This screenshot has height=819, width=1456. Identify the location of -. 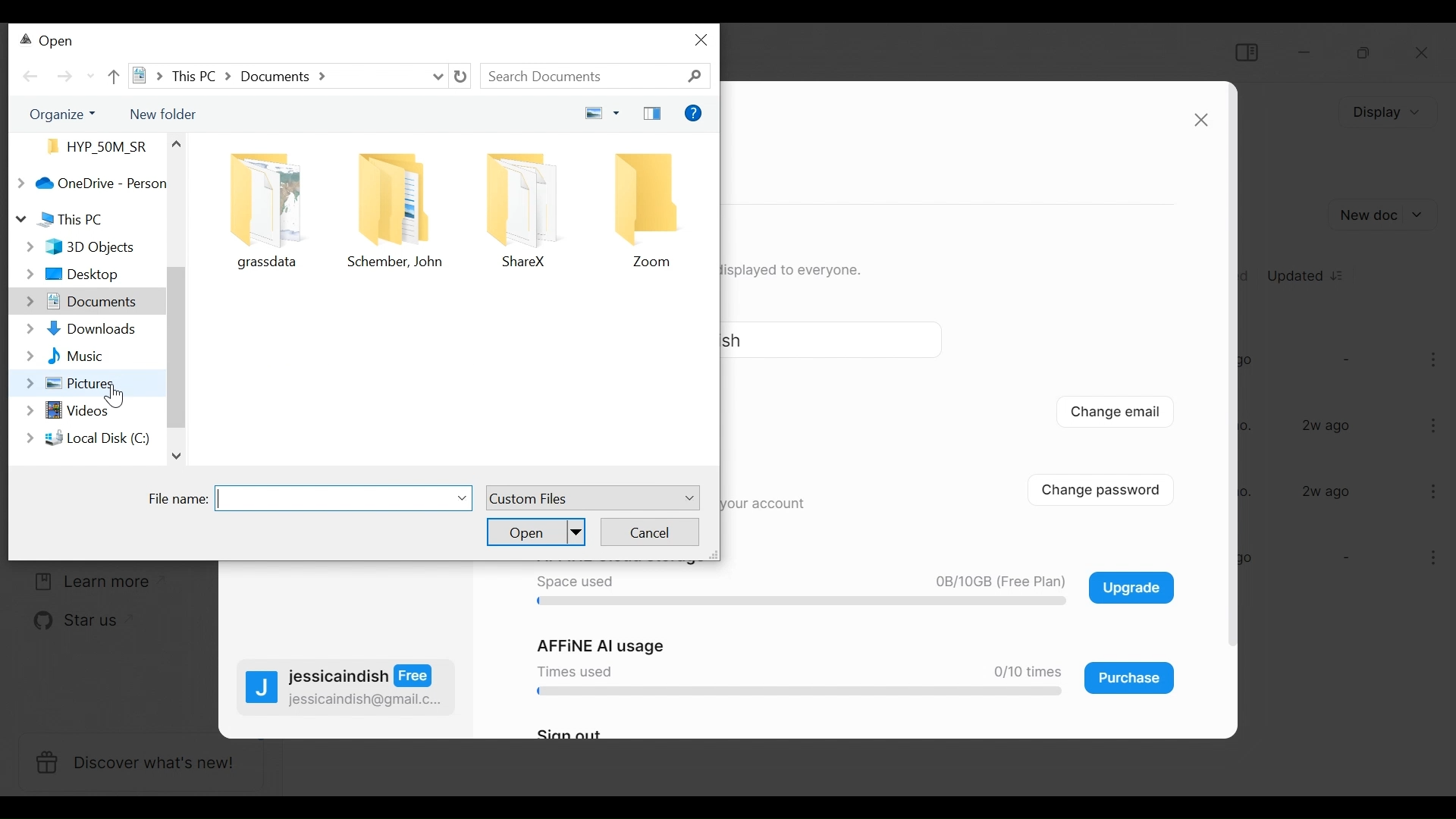
(1344, 559).